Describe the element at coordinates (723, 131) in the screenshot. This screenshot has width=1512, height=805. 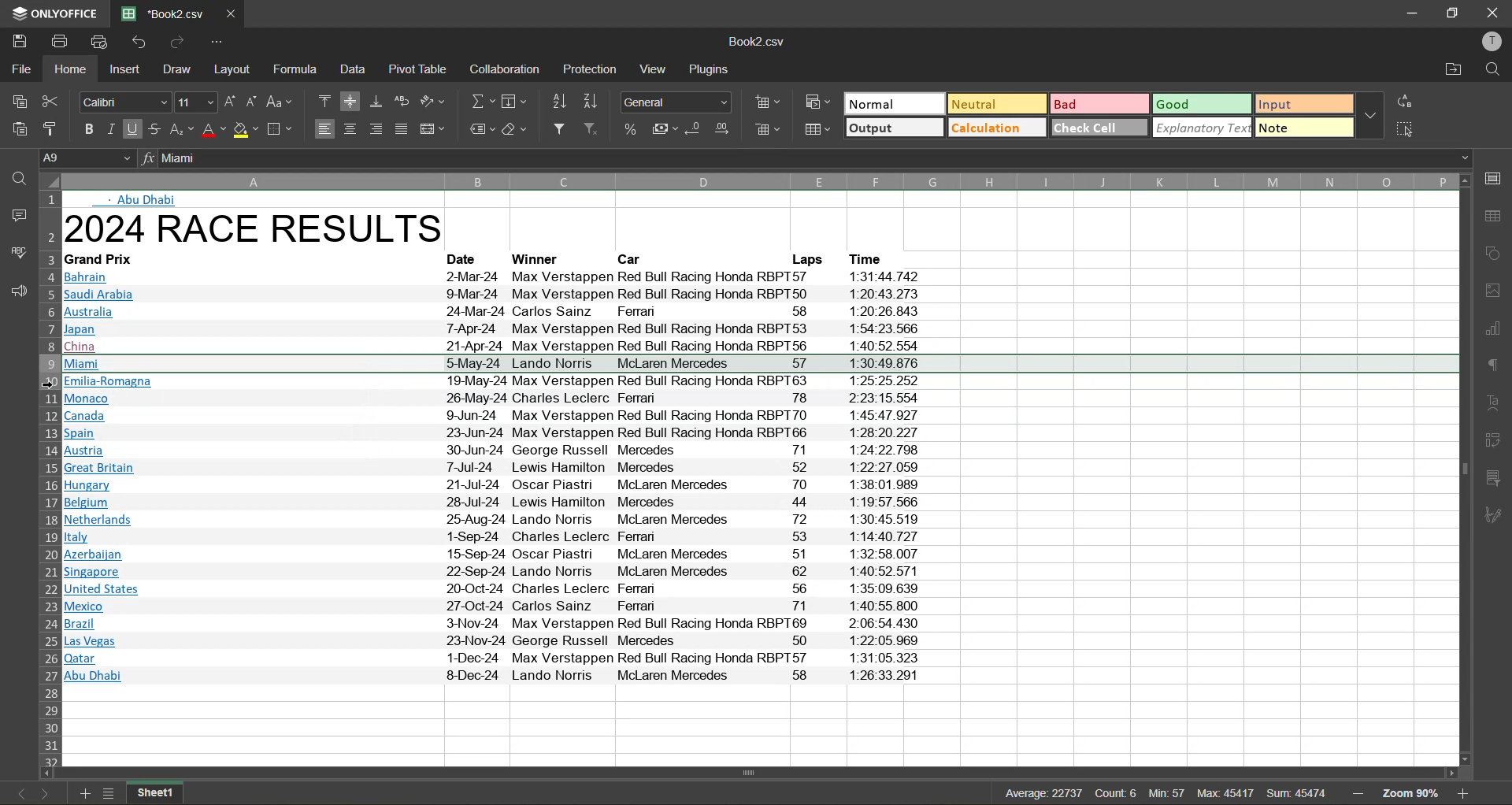
I see `increase decimal` at that location.